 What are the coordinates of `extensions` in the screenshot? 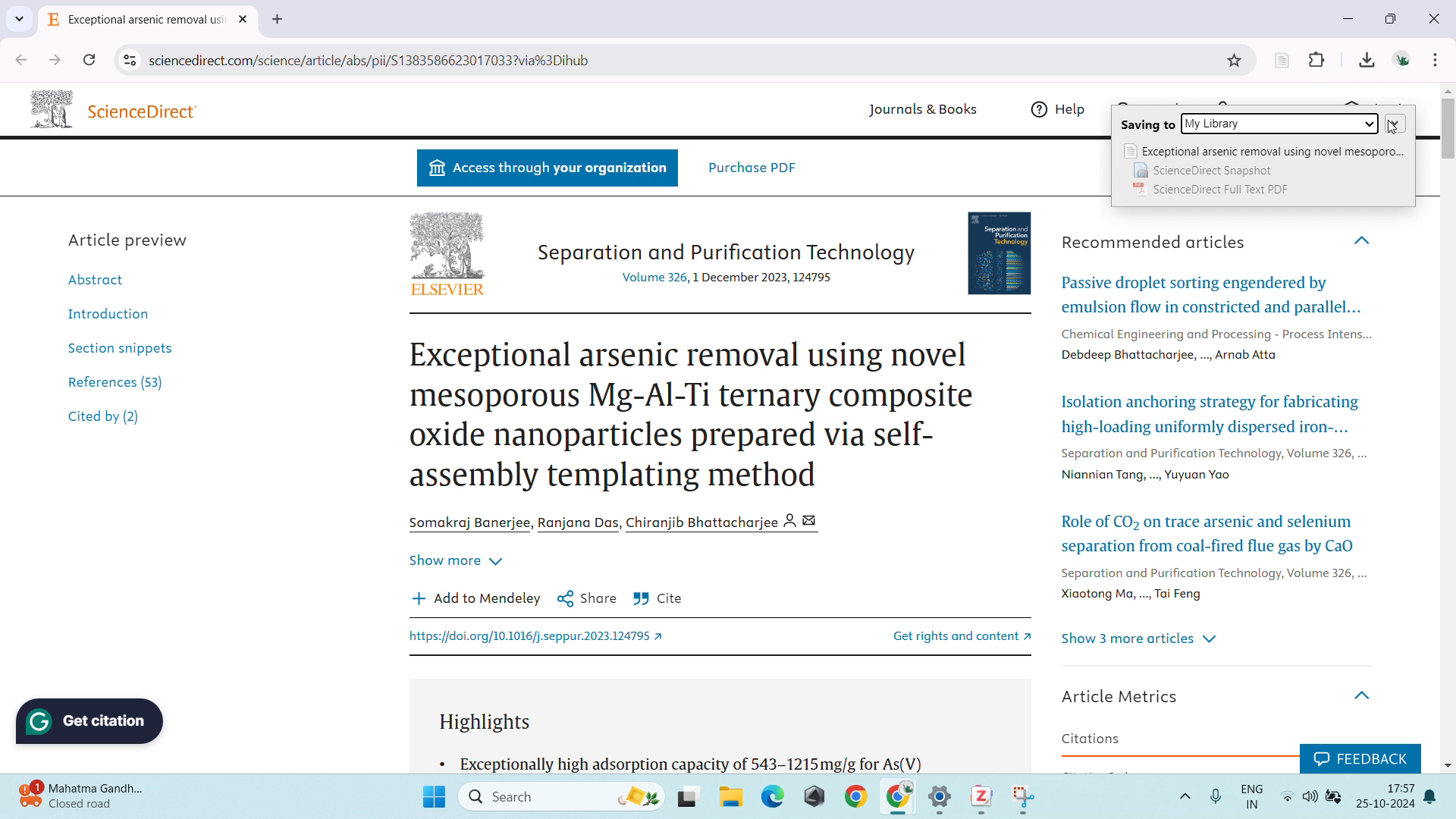 It's located at (1317, 58).